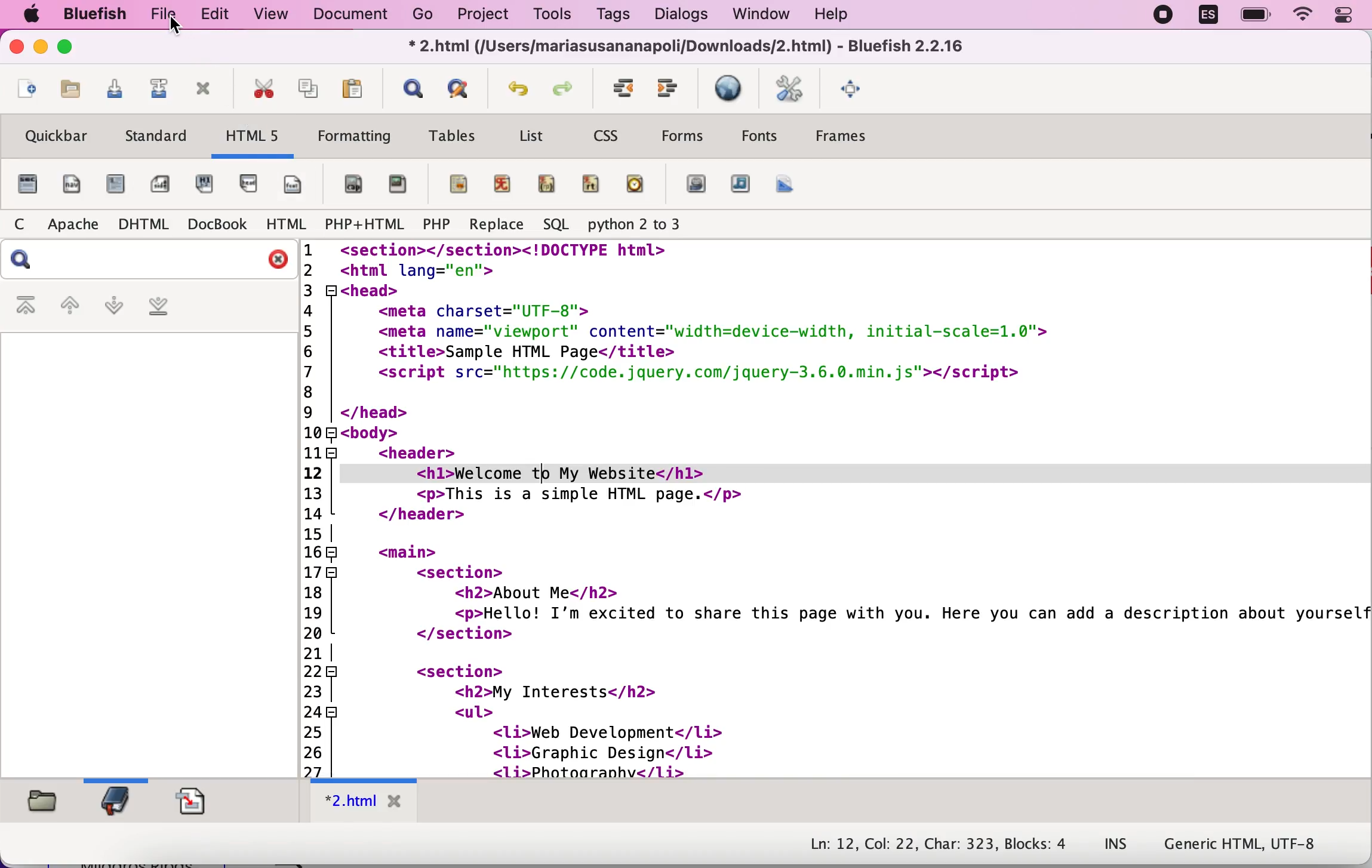 The height and width of the screenshot is (868, 1372). What do you see at coordinates (346, 14) in the screenshot?
I see `document` at bounding box center [346, 14].